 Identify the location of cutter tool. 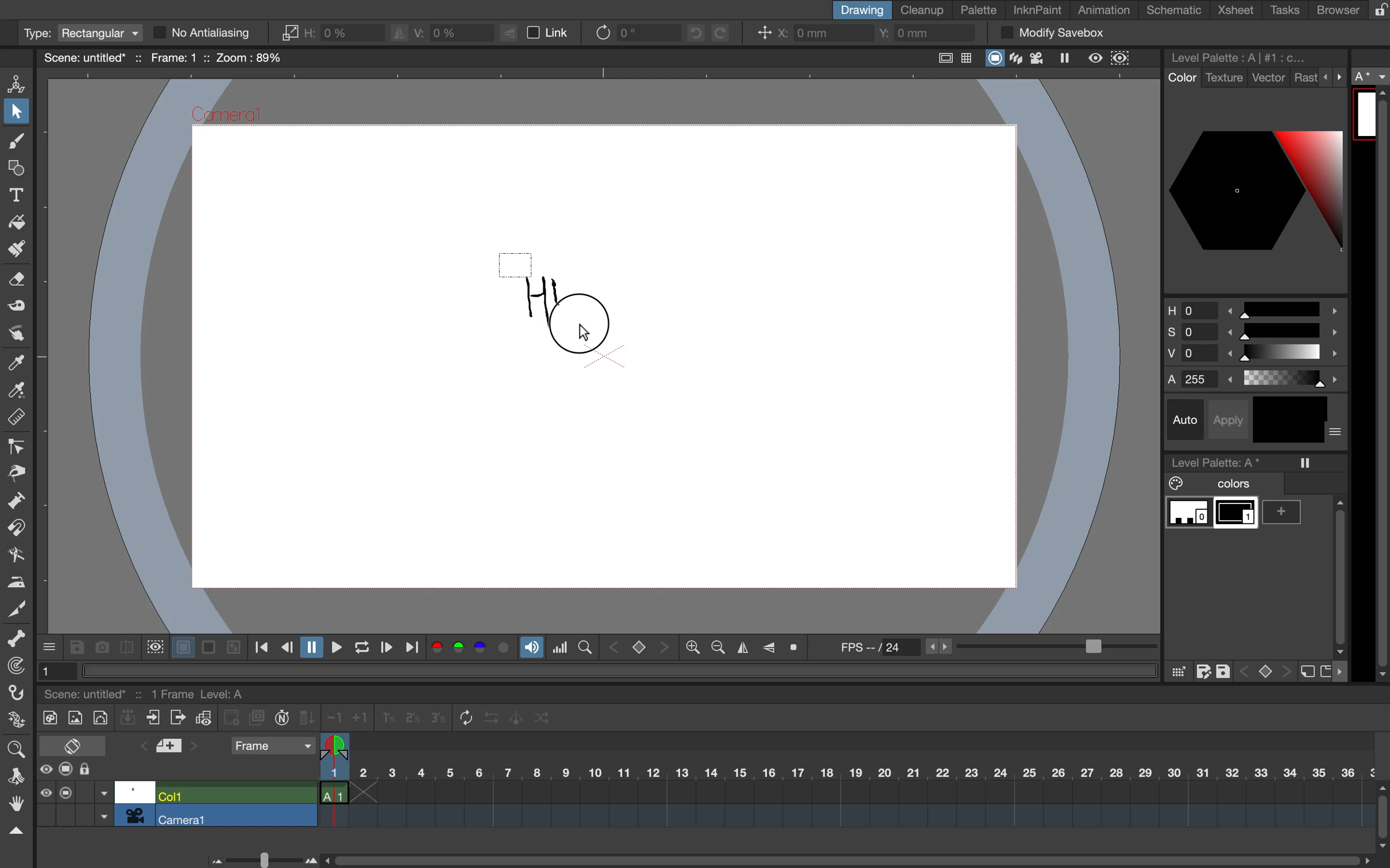
(17, 607).